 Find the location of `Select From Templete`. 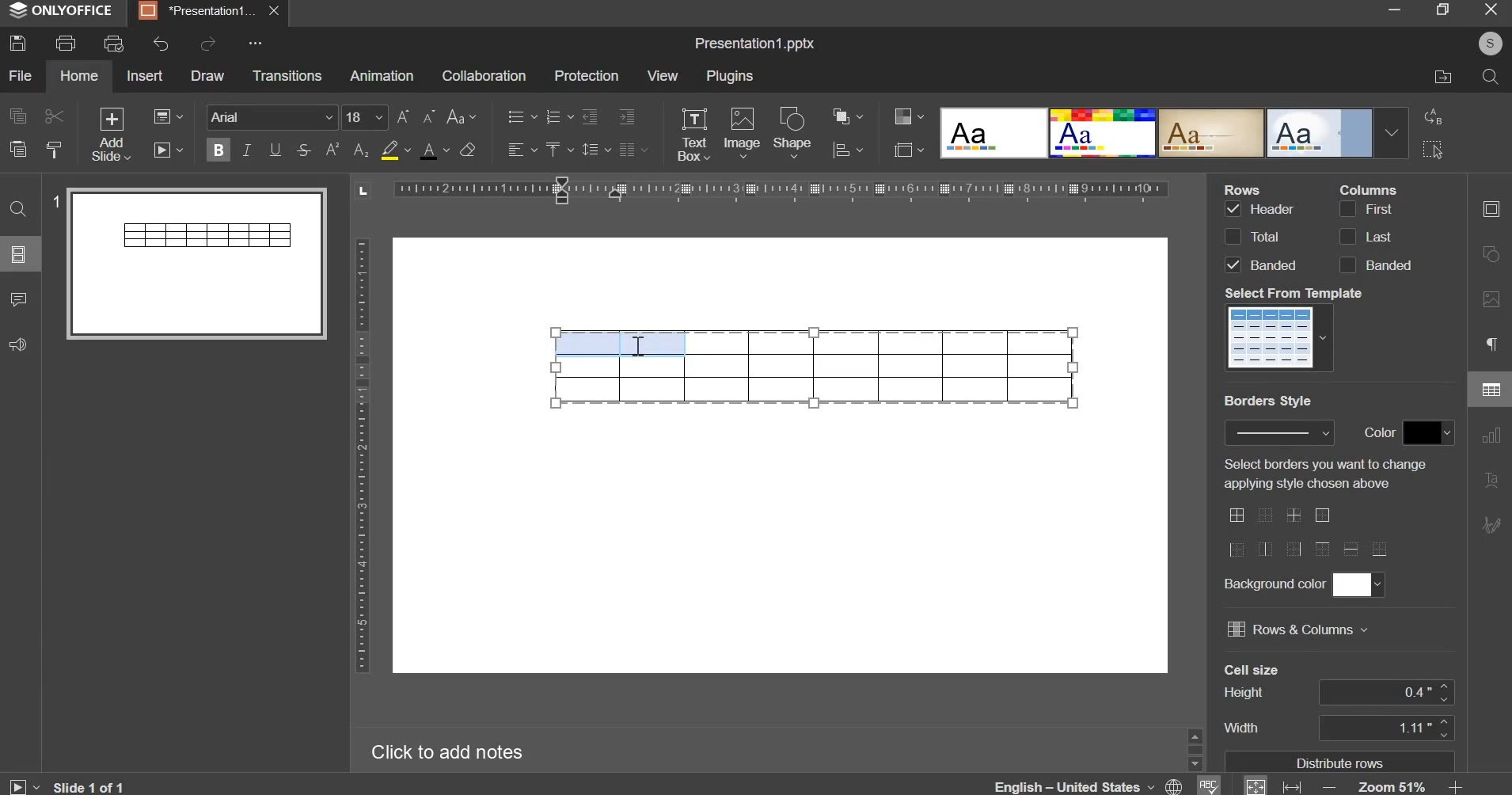

Select From Templete is located at coordinates (1296, 293).